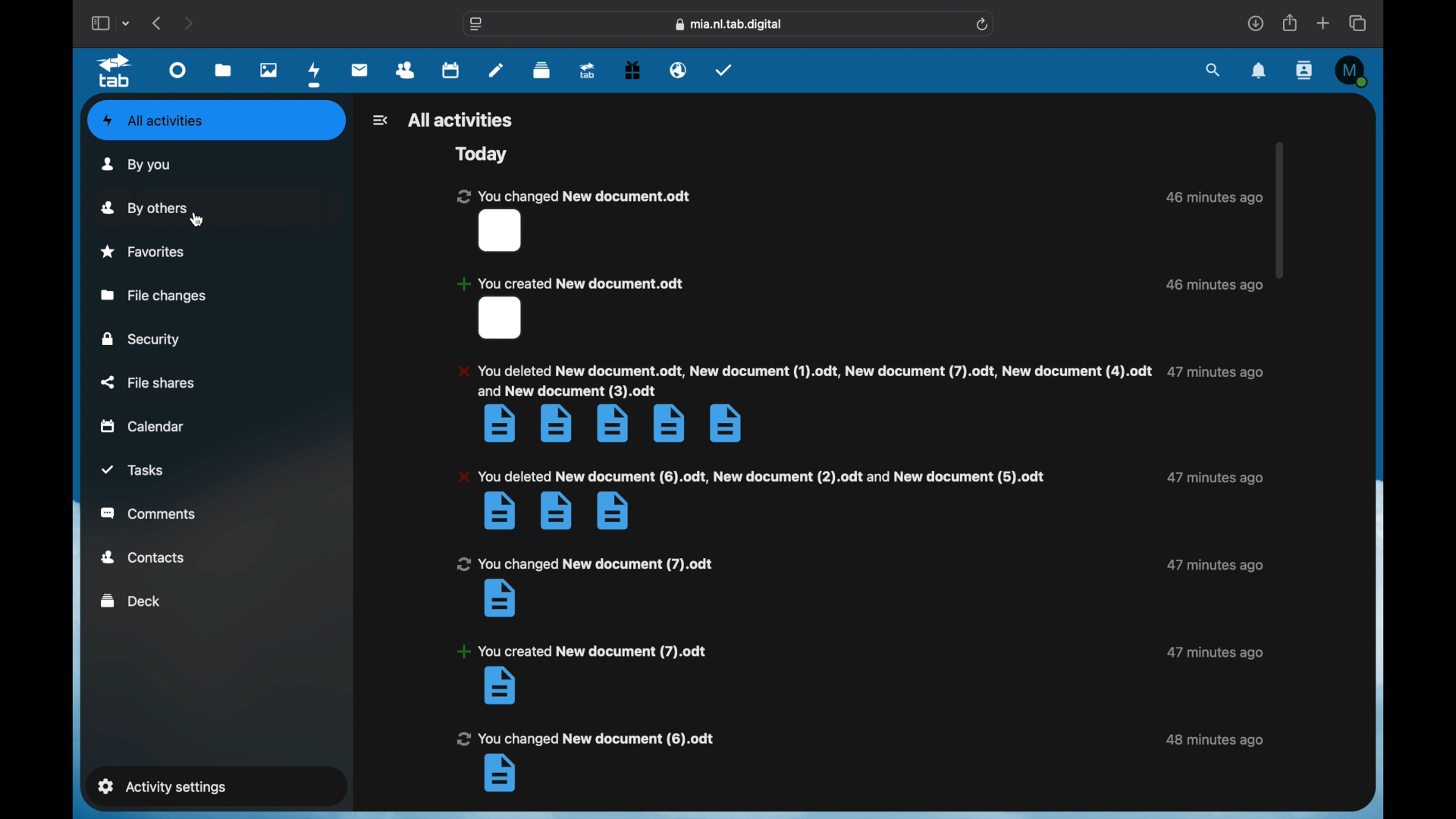 This screenshot has height=819, width=1456. What do you see at coordinates (1214, 286) in the screenshot?
I see `46 minutes ago` at bounding box center [1214, 286].